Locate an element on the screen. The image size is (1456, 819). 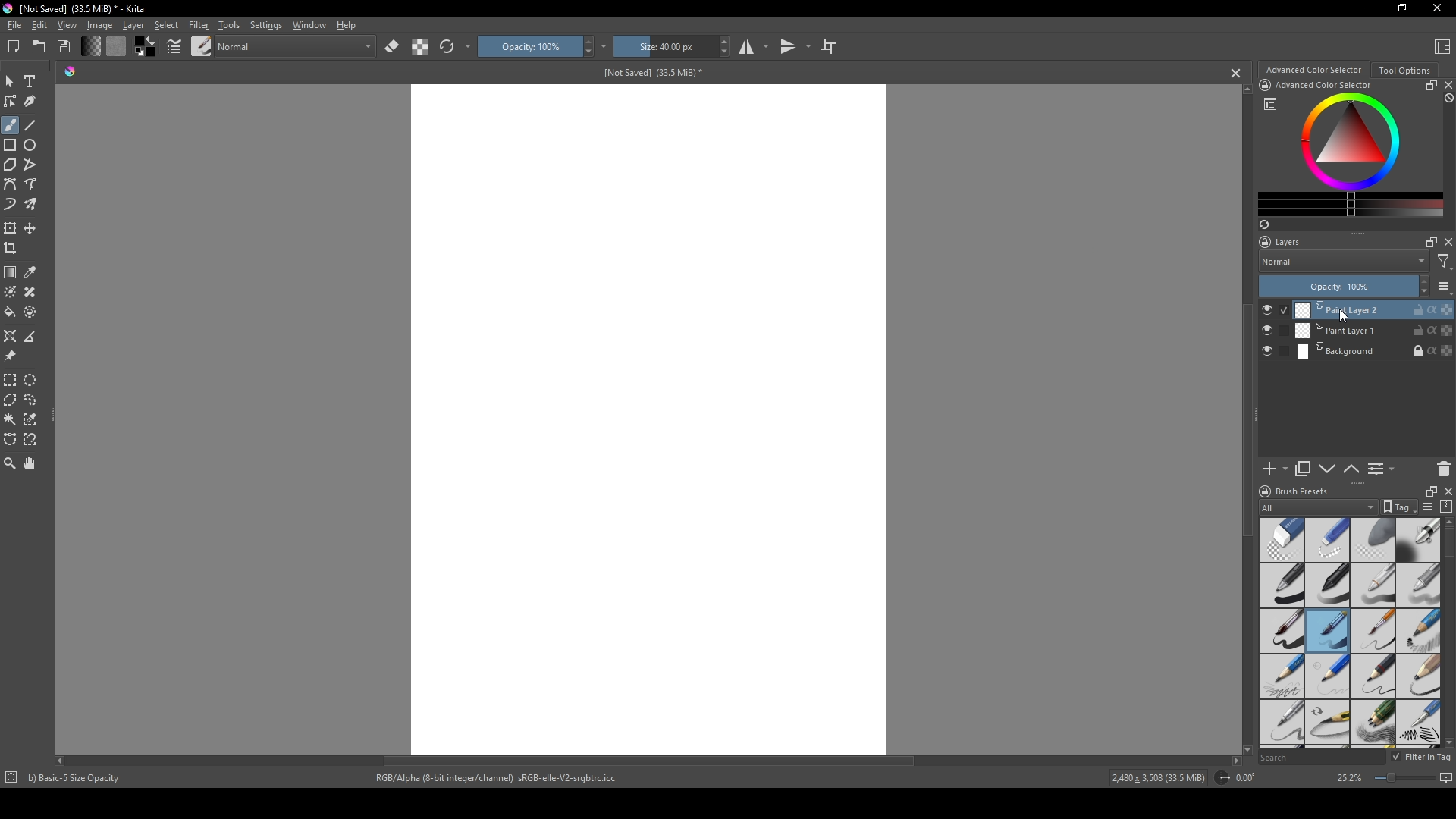
crop is located at coordinates (14, 248).